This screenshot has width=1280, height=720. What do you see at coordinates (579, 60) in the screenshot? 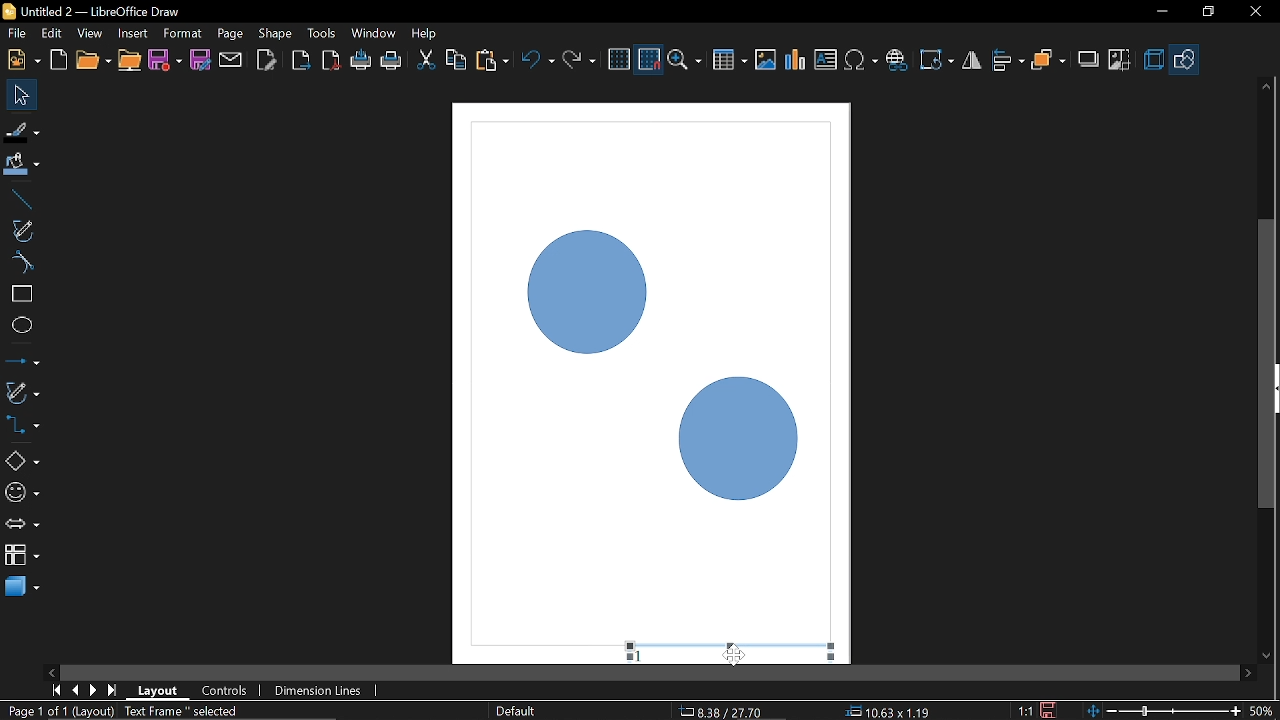
I see `redo` at bounding box center [579, 60].